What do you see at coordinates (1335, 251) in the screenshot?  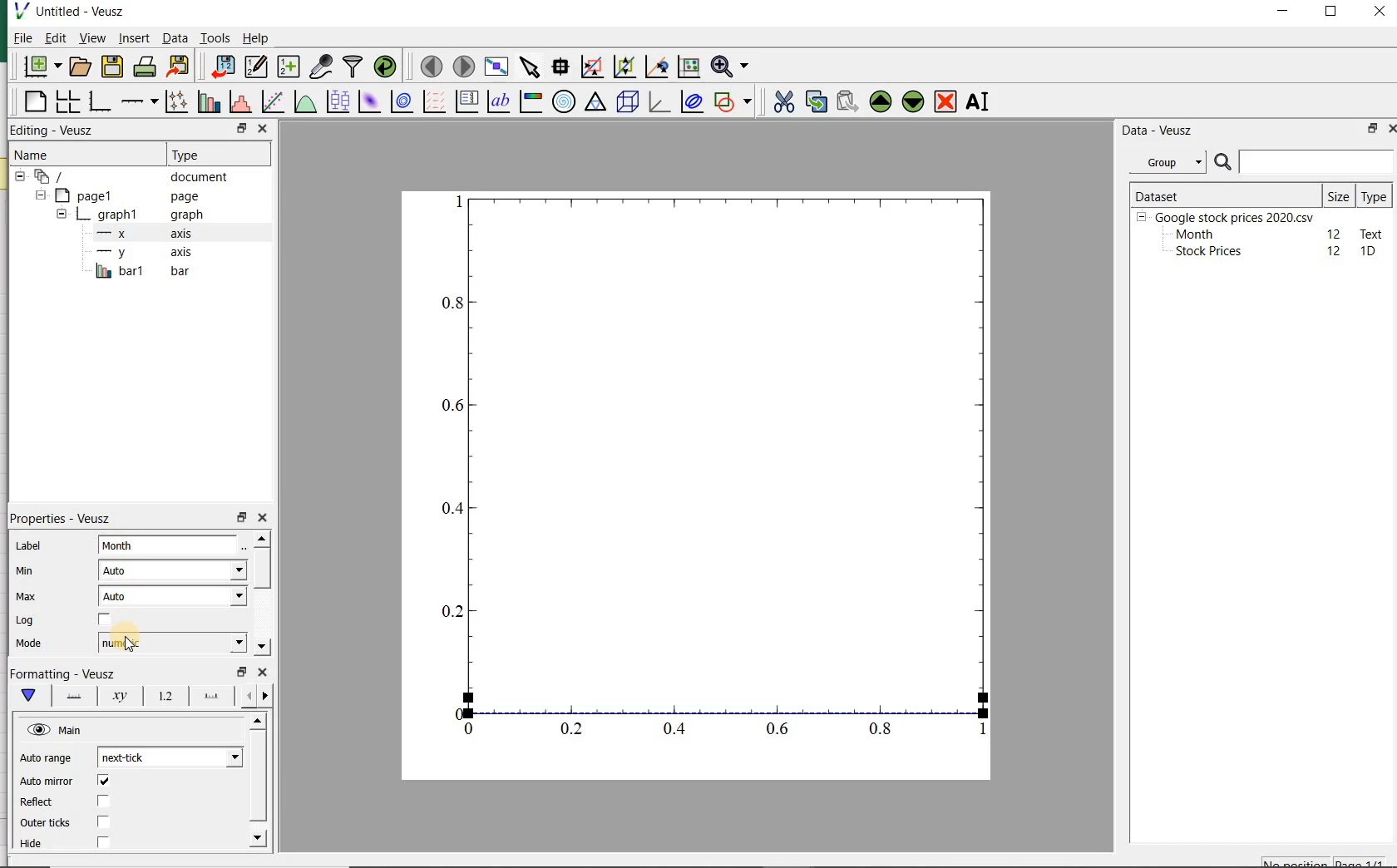 I see `12` at bounding box center [1335, 251].